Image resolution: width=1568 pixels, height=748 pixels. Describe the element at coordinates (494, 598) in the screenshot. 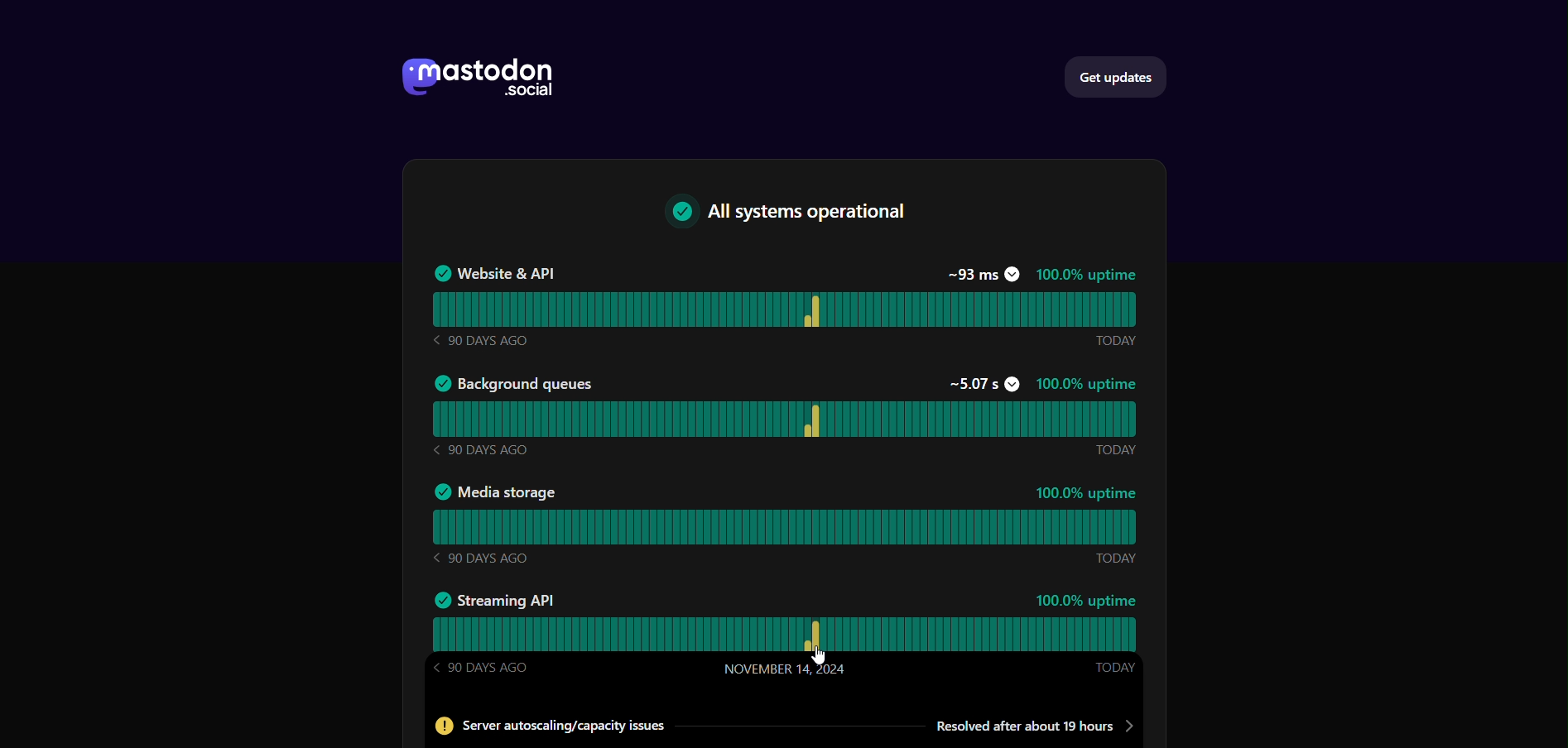

I see `Streaming API` at that location.